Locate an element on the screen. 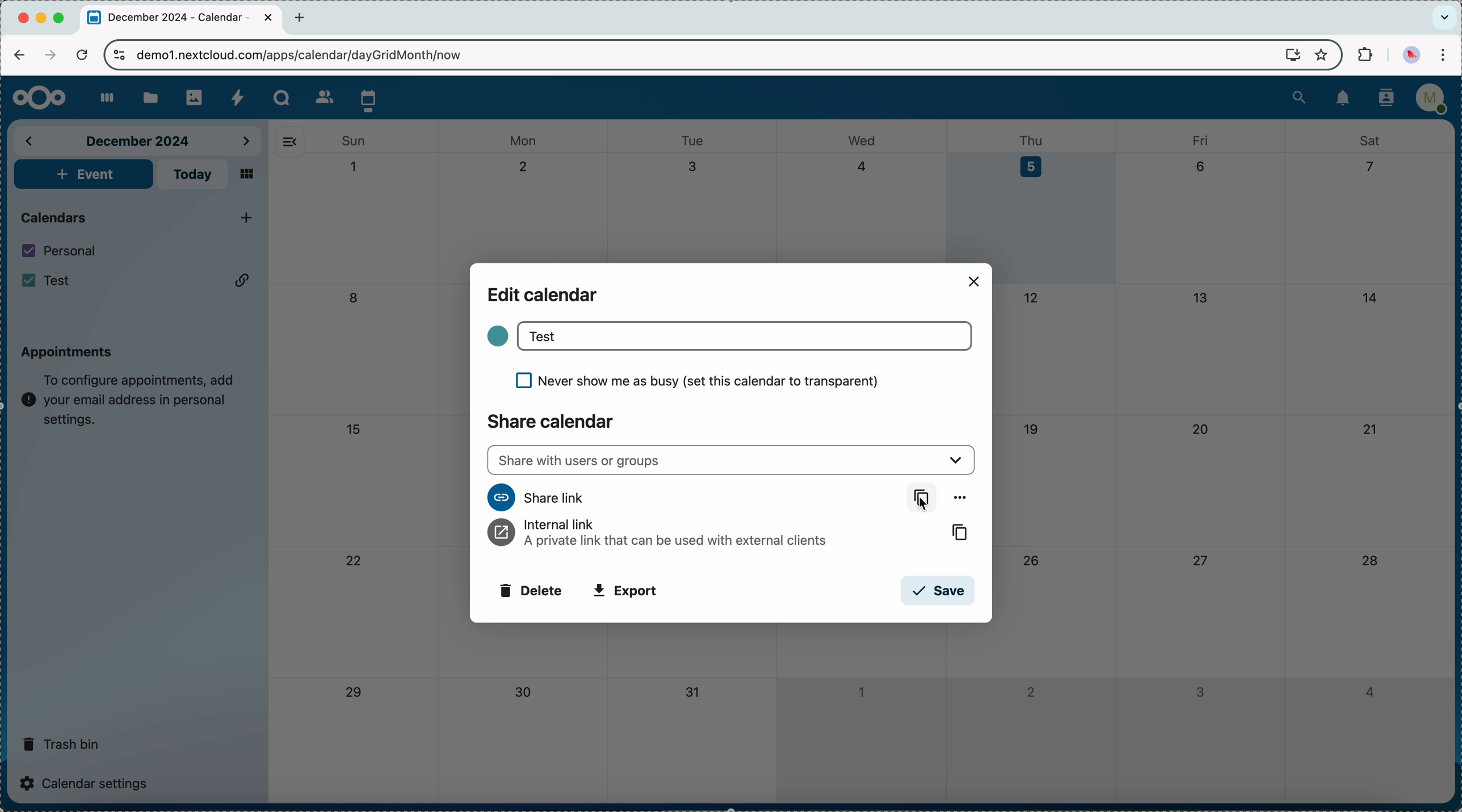  favorites is located at coordinates (1320, 54).